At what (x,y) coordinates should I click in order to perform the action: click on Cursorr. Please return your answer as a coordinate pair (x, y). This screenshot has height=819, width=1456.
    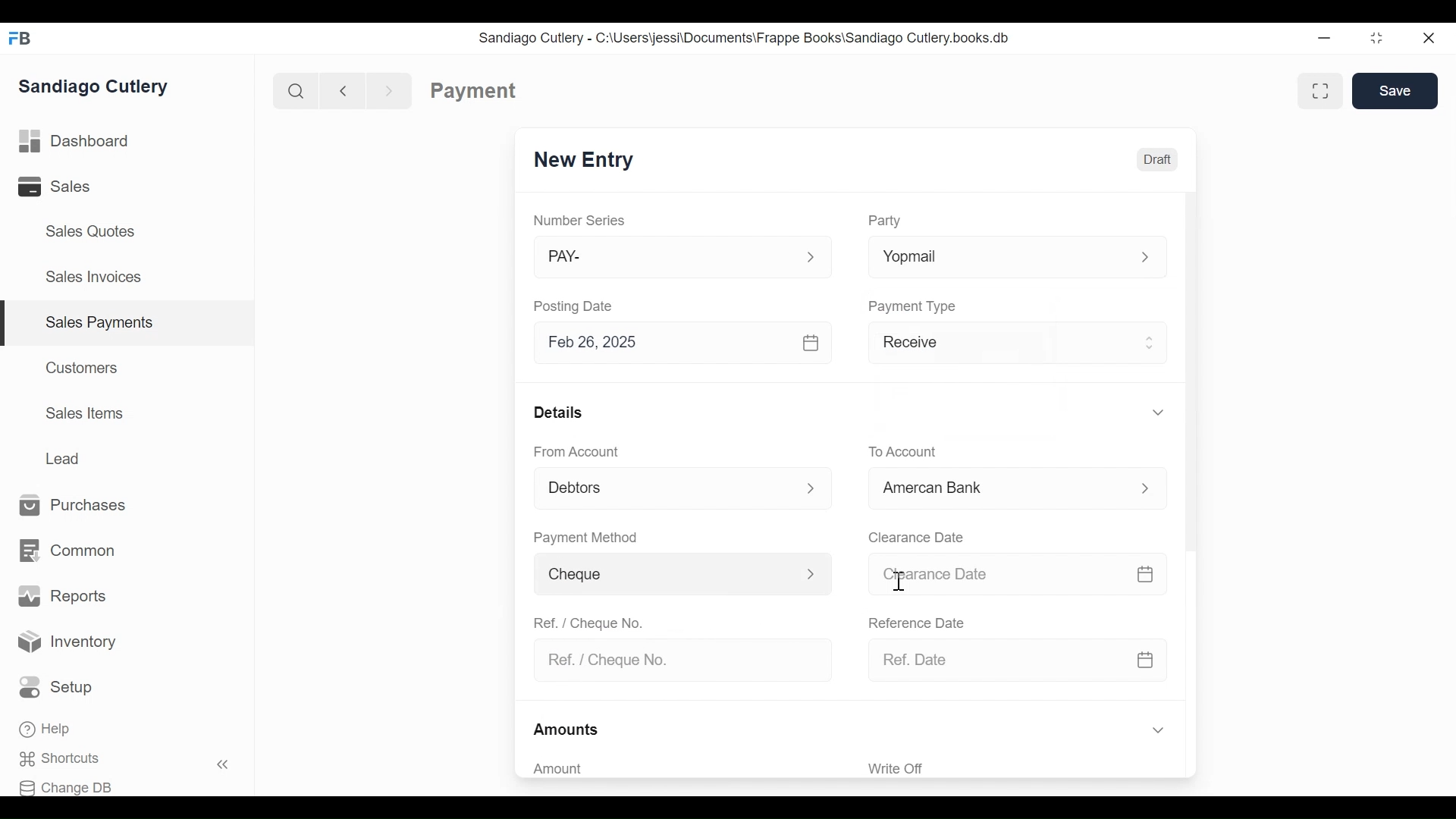
    Looking at the image, I should click on (898, 582).